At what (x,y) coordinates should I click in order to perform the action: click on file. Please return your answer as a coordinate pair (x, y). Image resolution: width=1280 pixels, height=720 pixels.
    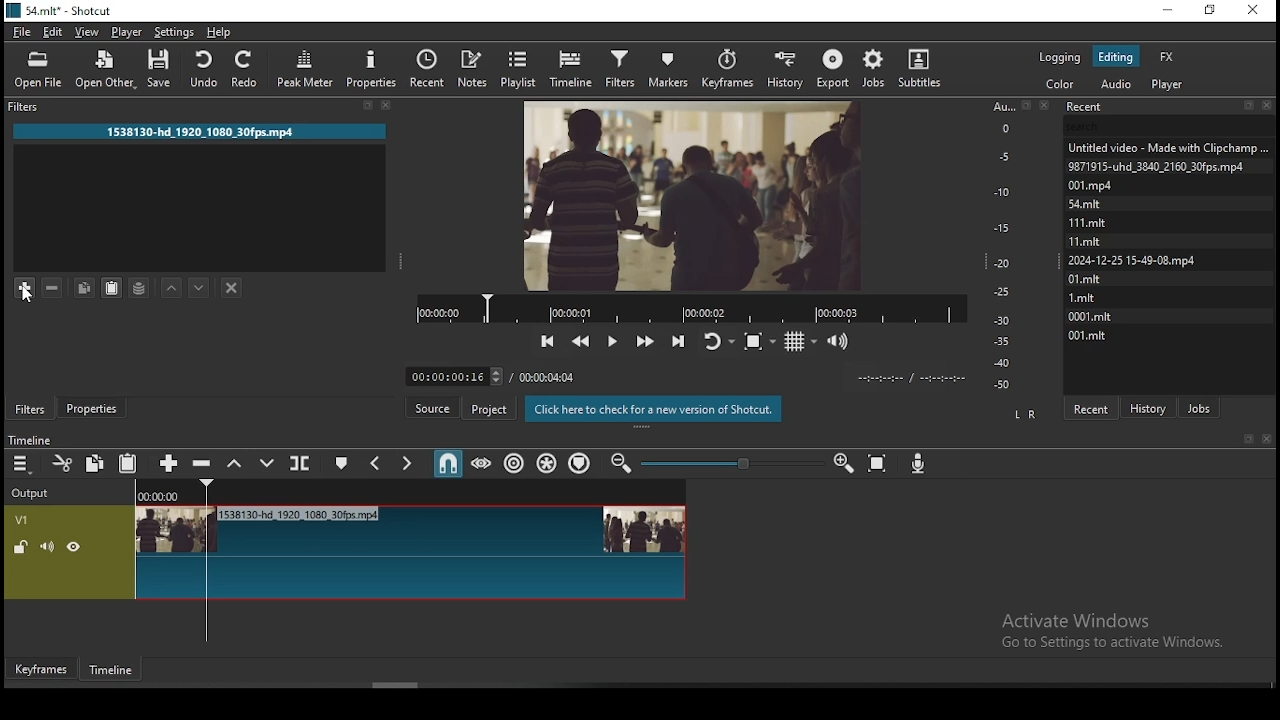
    Looking at the image, I should click on (22, 32).